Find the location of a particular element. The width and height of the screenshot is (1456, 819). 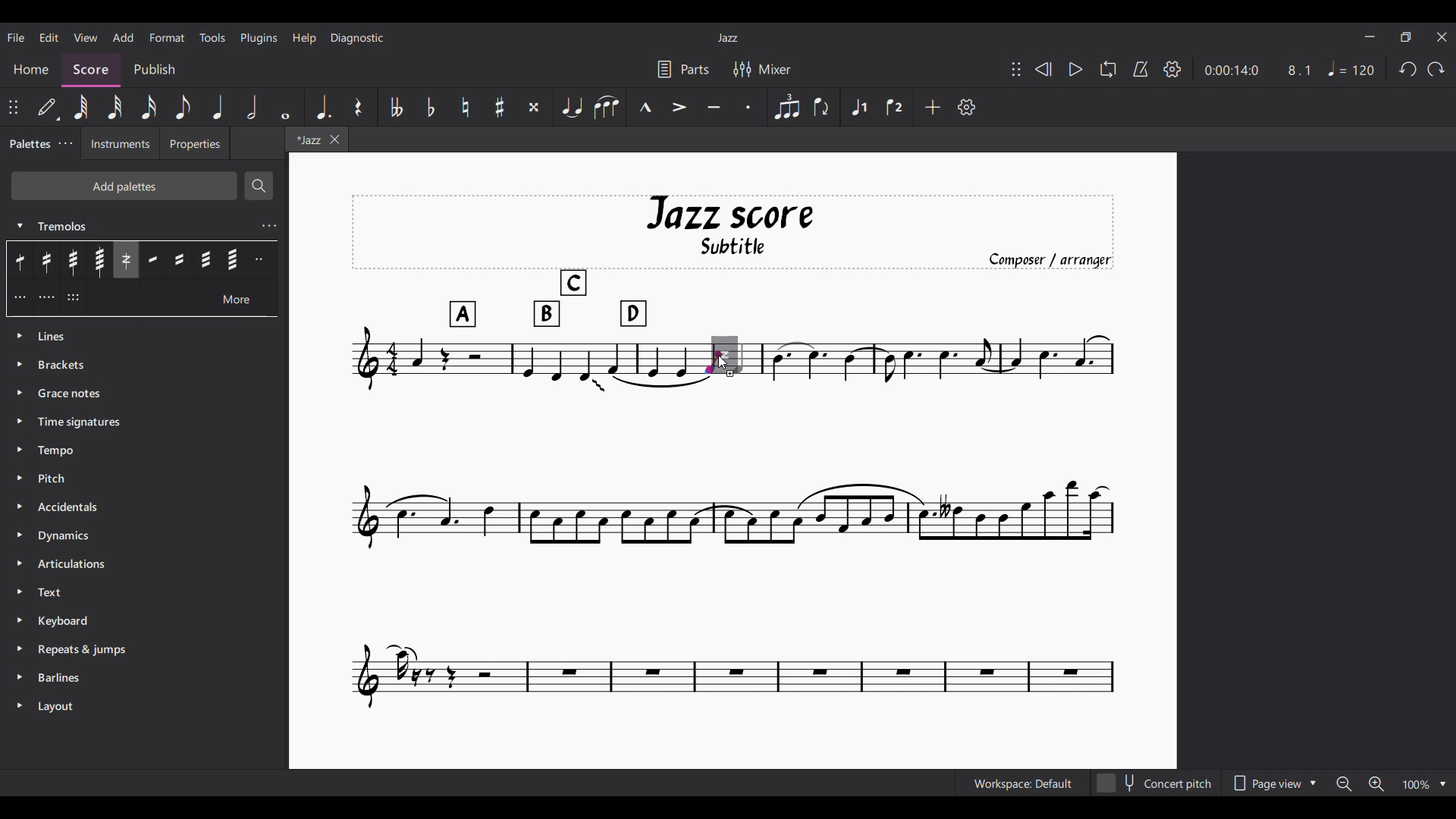

Rewind is located at coordinates (1043, 69).